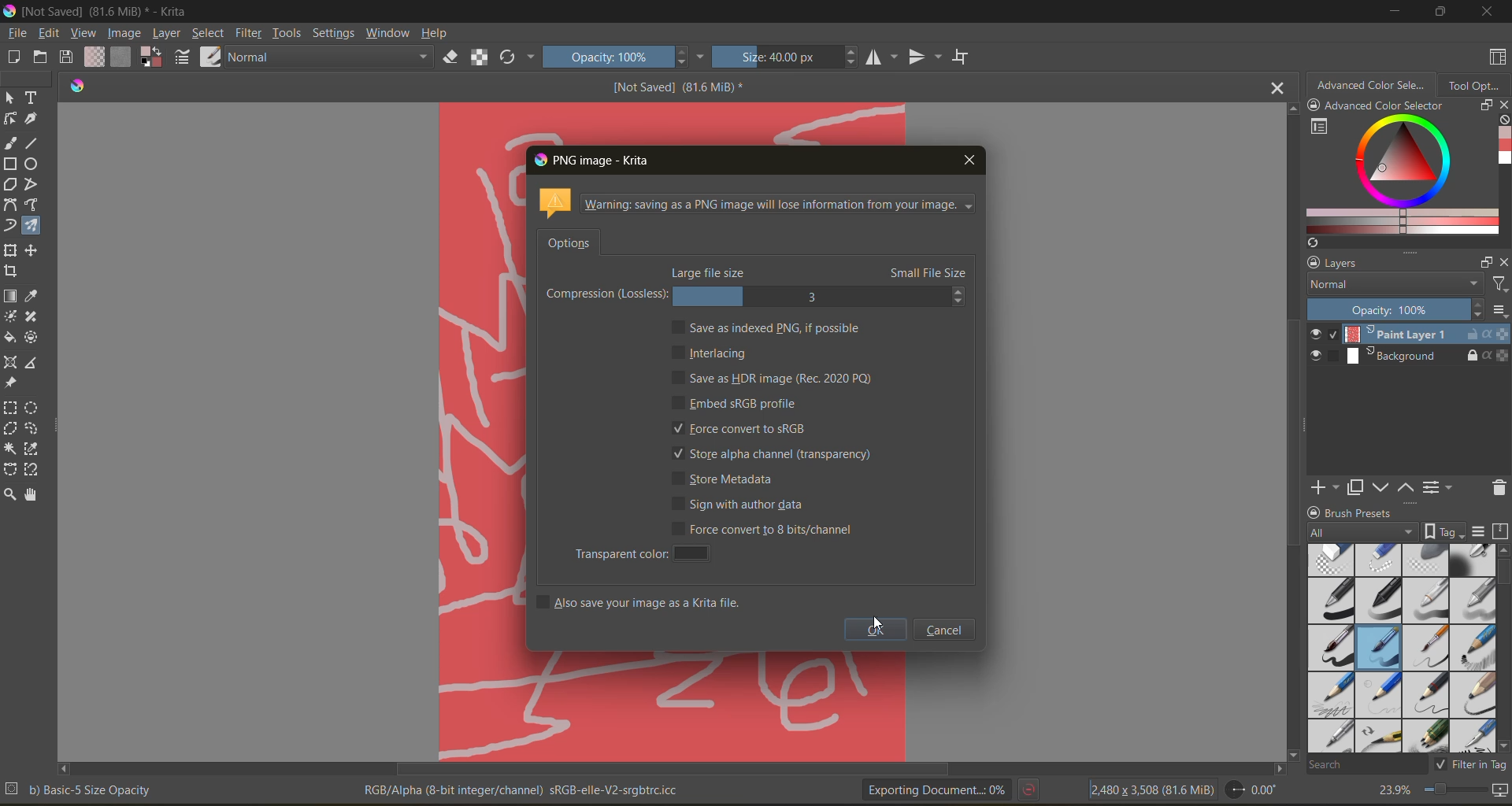 The height and width of the screenshot is (806, 1512). What do you see at coordinates (289, 33) in the screenshot?
I see `tools` at bounding box center [289, 33].